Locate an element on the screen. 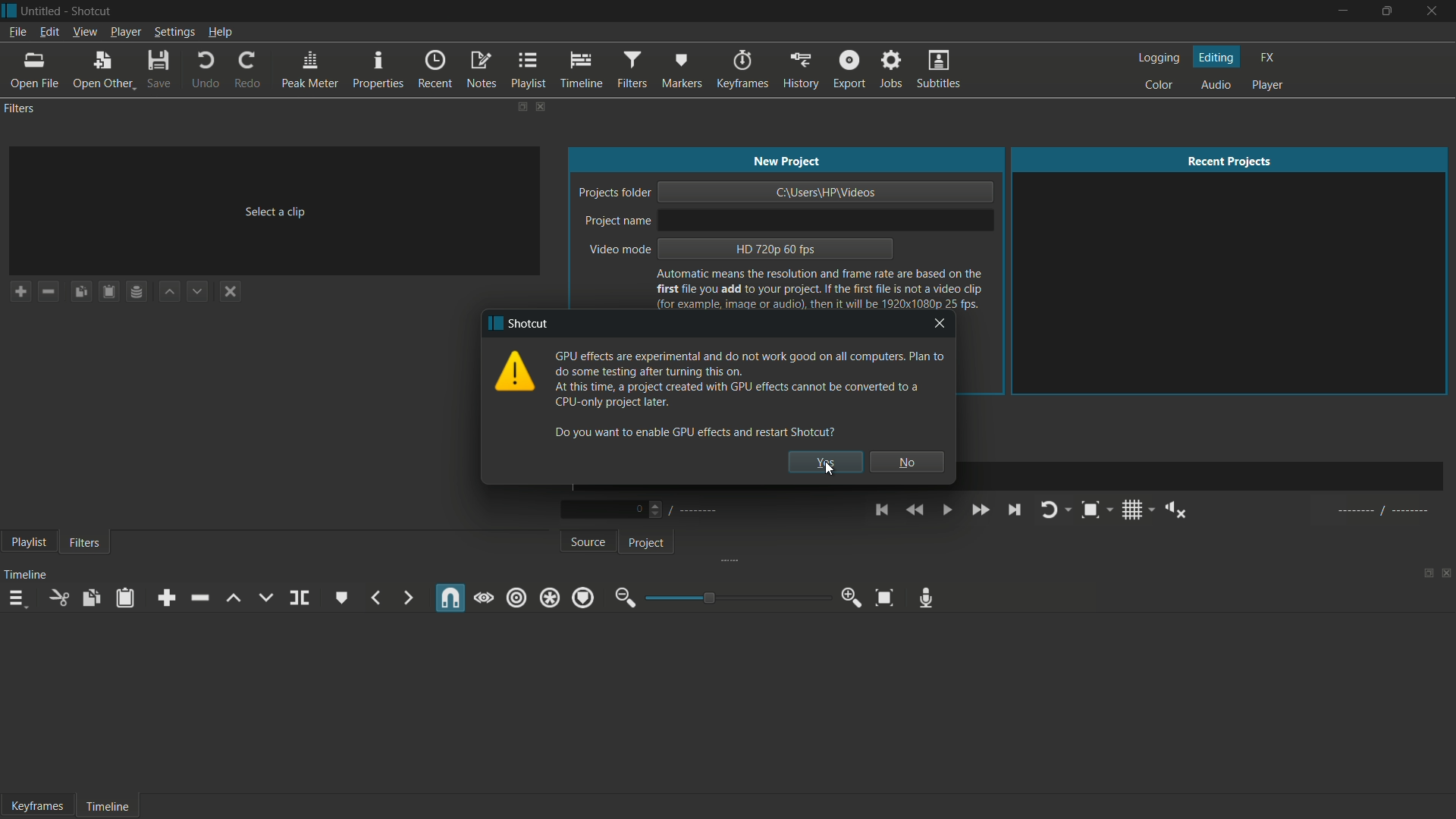  change layout is located at coordinates (1423, 572).